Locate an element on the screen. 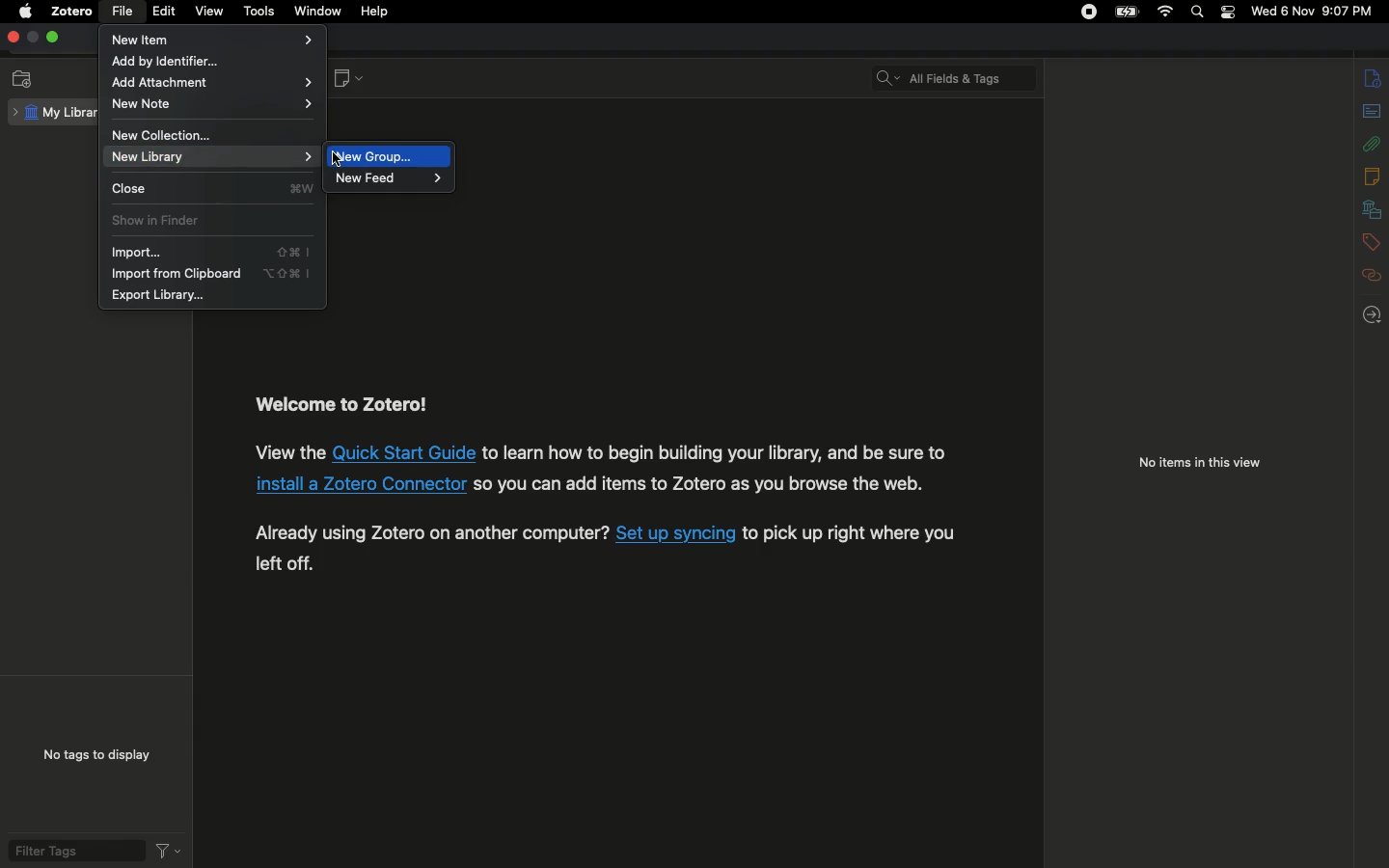 This screenshot has height=868, width=1389. Filter tags is located at coordinates (72, 851).